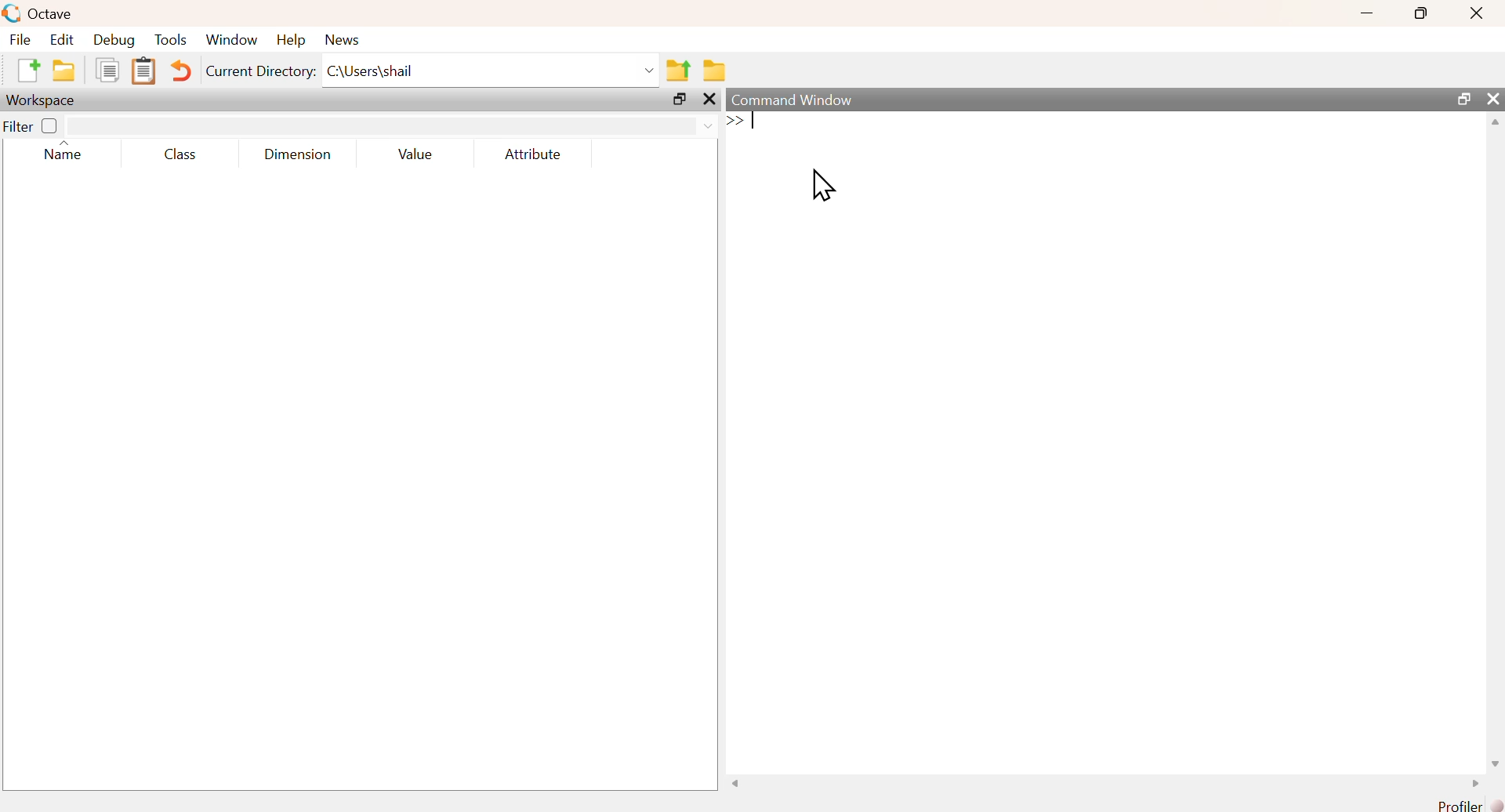 Image resolution: width=1505 pixels, height=812 pixels. I want to click on Previous Folder, so click(679, 71).